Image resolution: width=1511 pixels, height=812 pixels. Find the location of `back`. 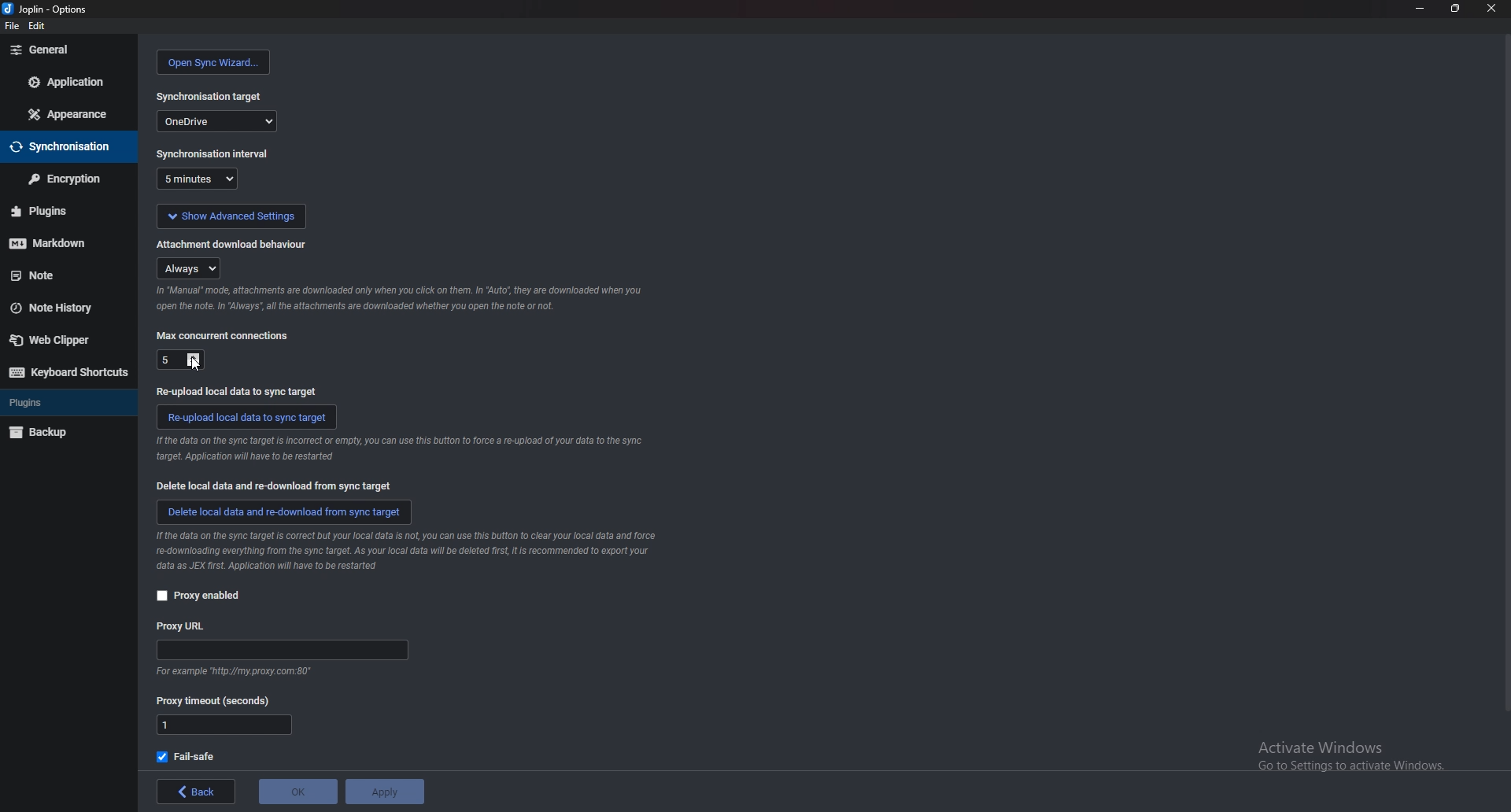

back is located at coordinates (193, 791).